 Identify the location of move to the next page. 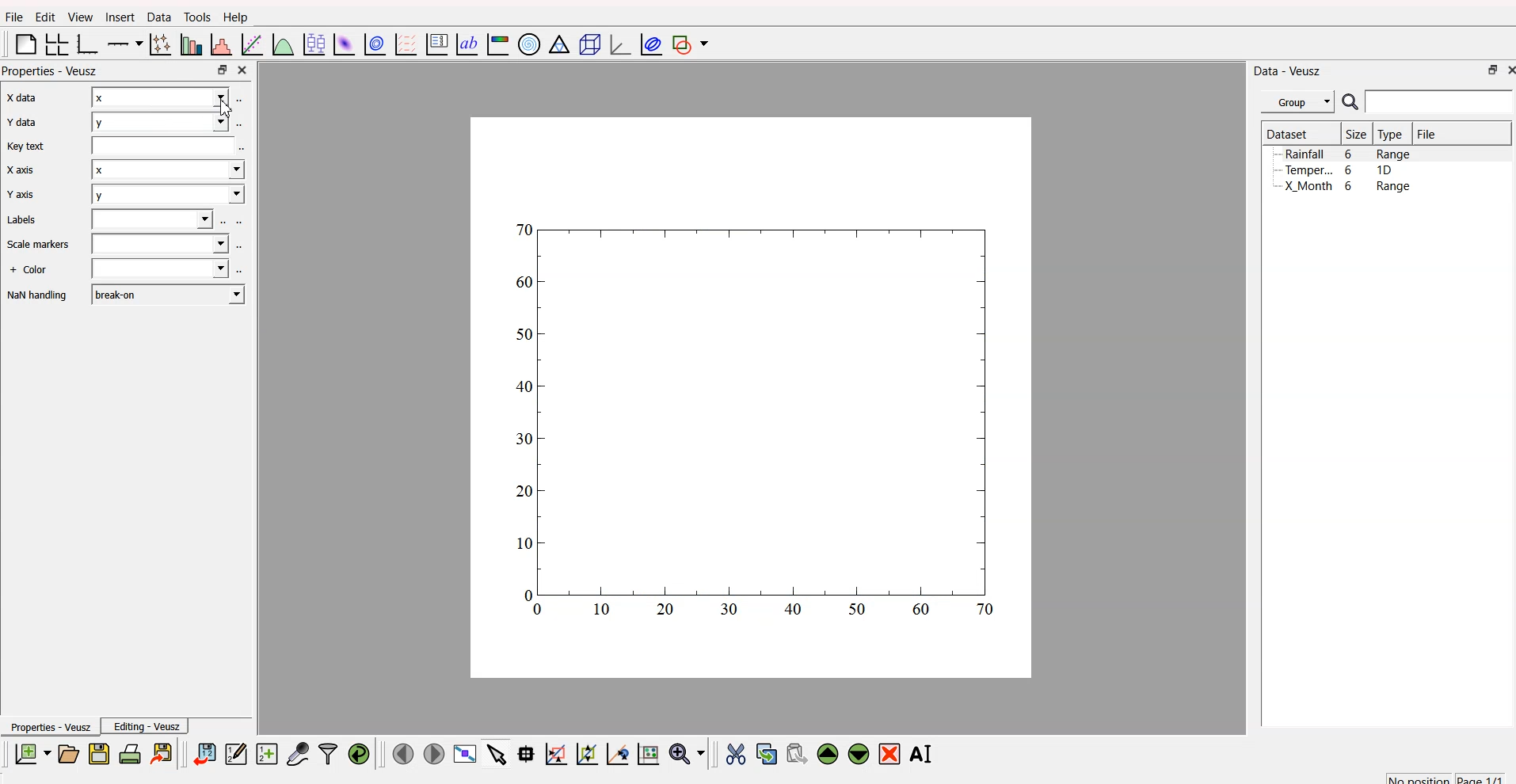
(436, 754).